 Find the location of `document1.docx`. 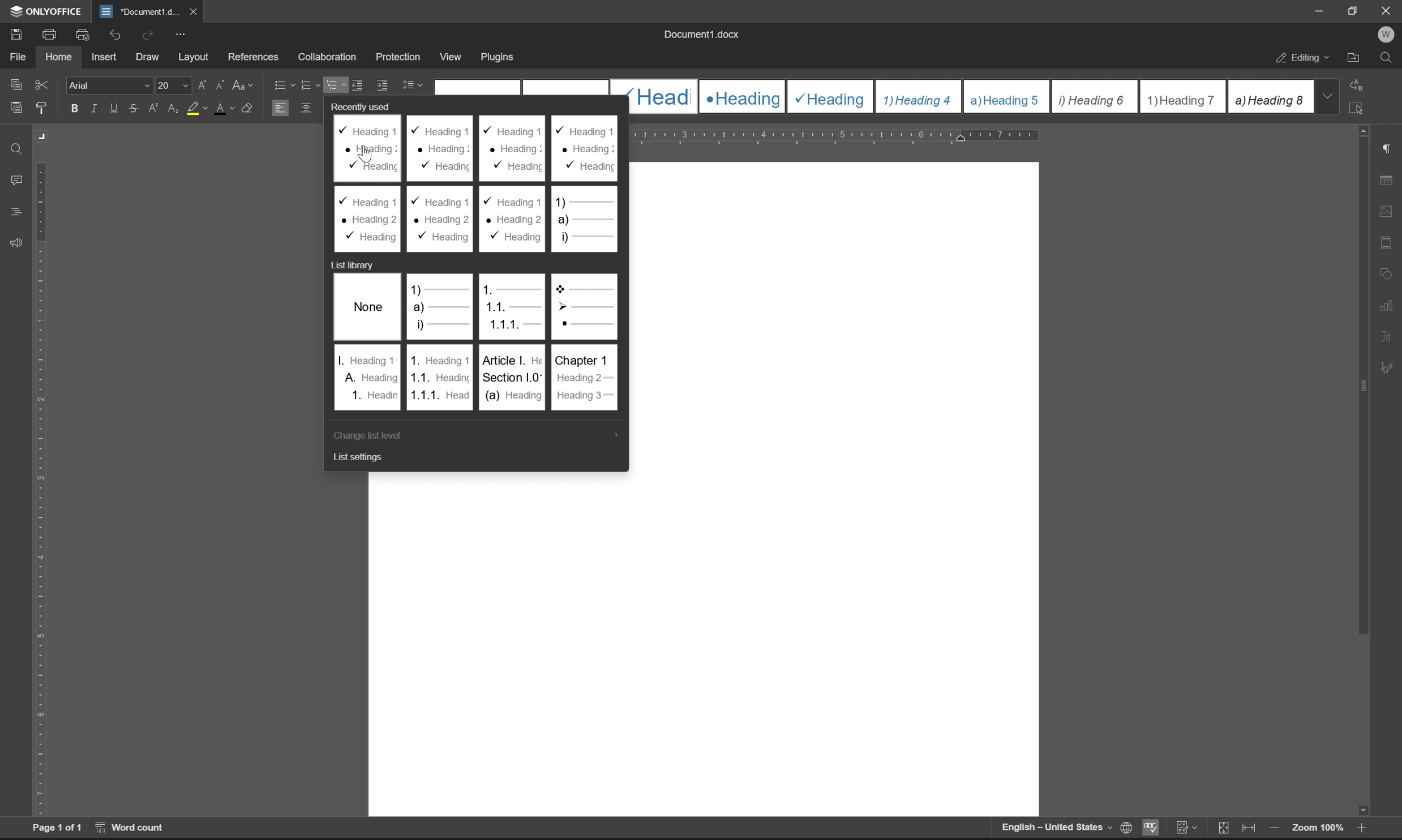

document1.docx is located at coordinates (700, 34).